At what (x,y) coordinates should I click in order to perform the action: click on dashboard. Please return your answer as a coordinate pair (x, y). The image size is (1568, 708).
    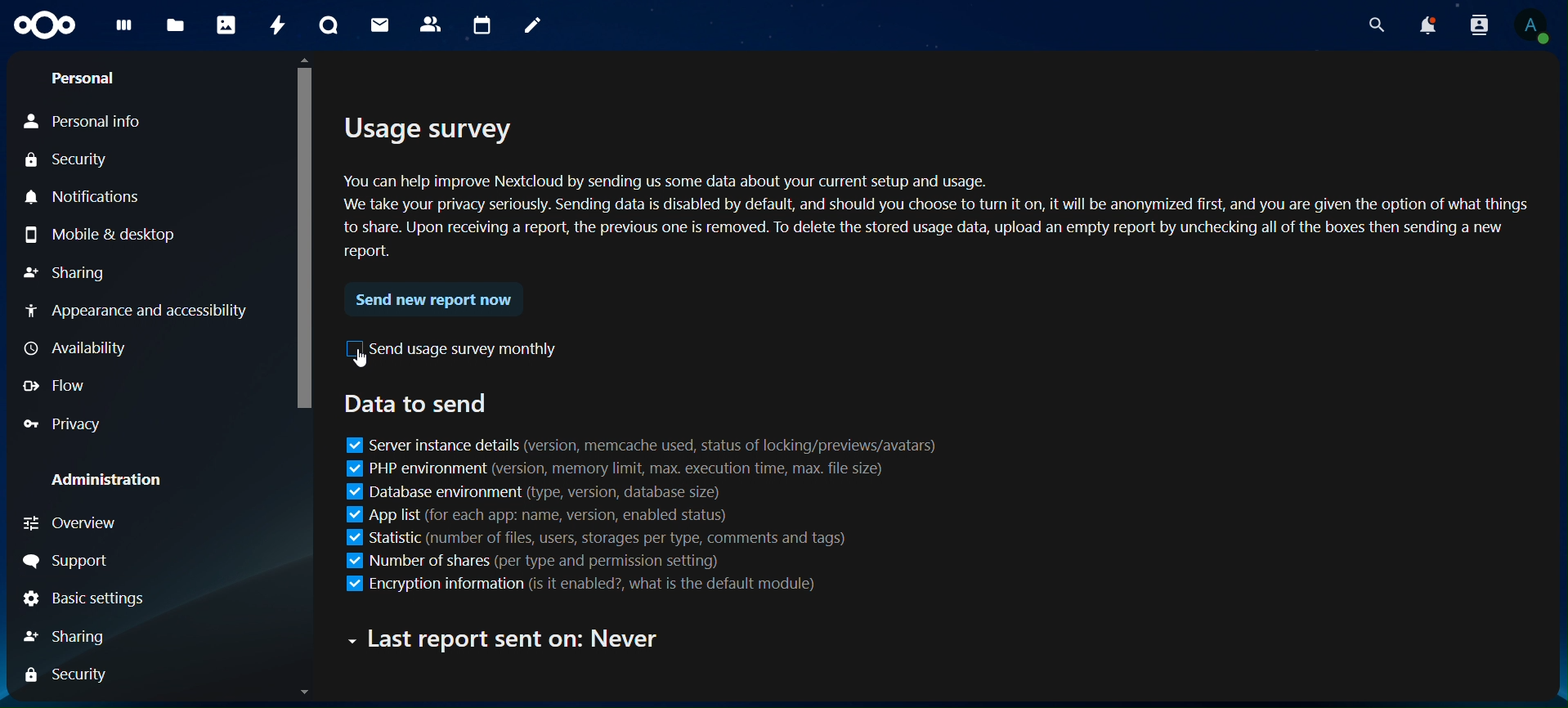
    Looking at the image, I should click on (125, 29).